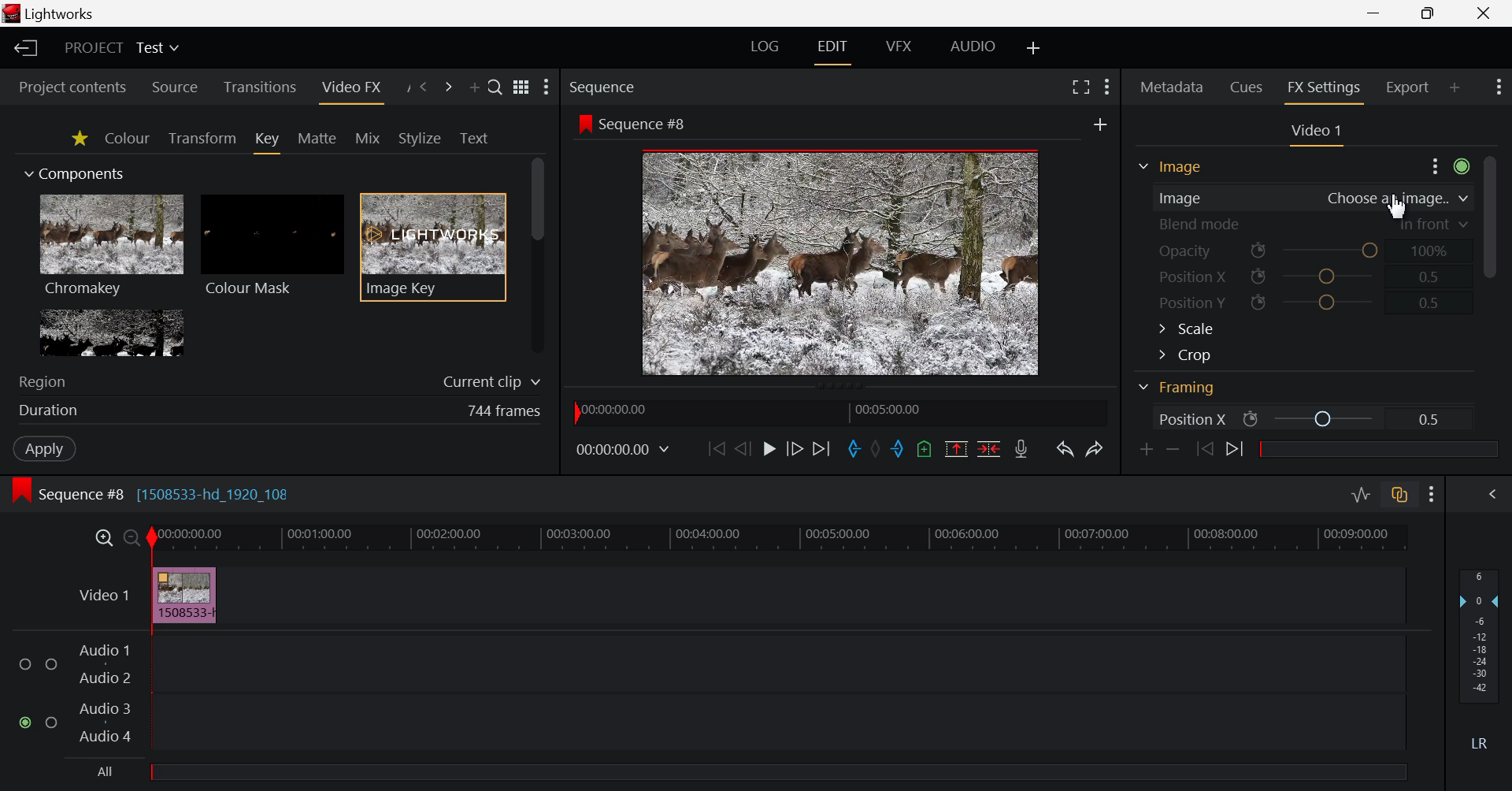 Image resolution: width=1512 pixels, height=791 pixels. I want to click on Position X, so click(1323, 417).